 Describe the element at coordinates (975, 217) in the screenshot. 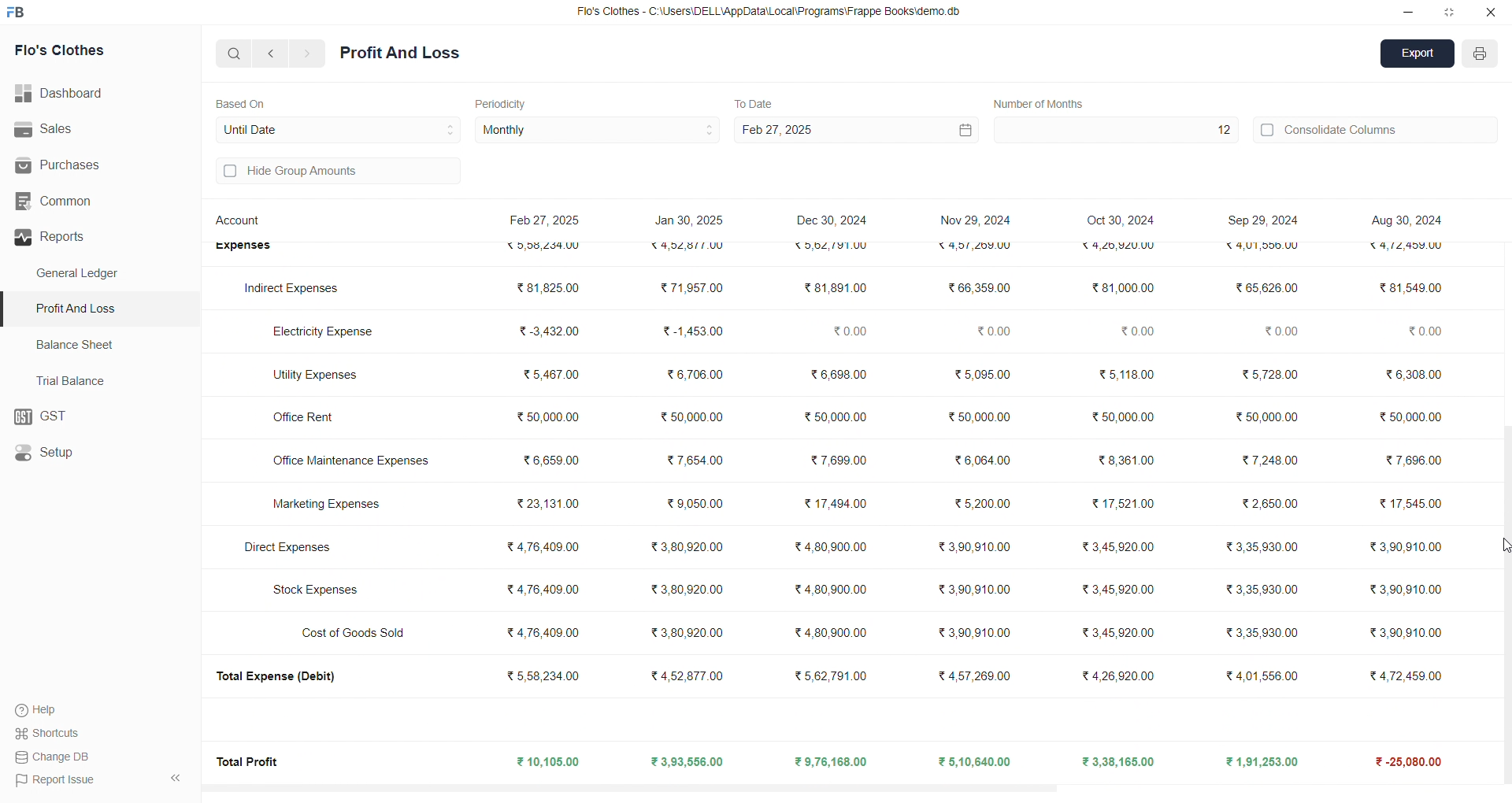

I see `Nov 29, 2024` at that location.